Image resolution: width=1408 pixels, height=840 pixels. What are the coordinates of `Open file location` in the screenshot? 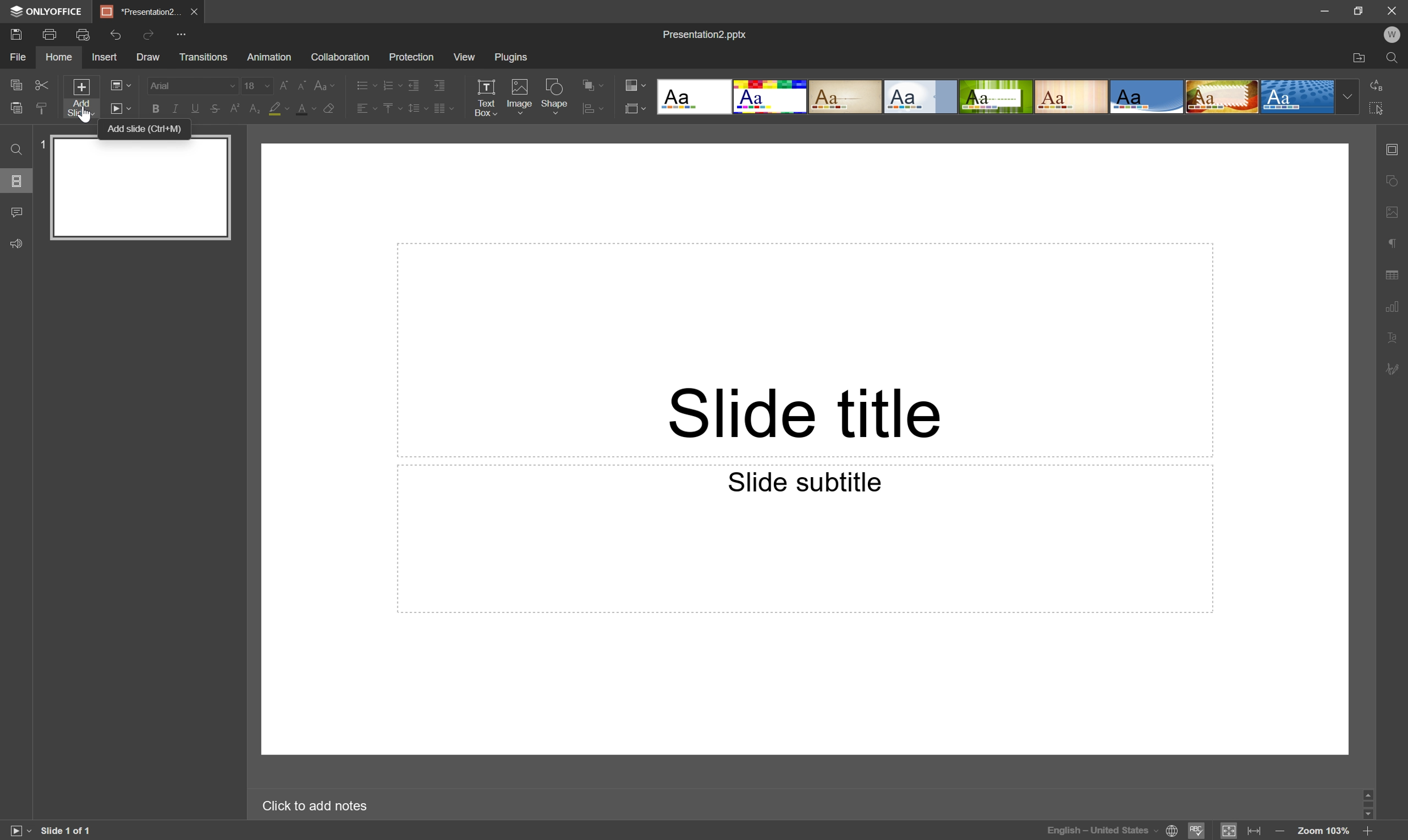 It's located at (1360, 58).